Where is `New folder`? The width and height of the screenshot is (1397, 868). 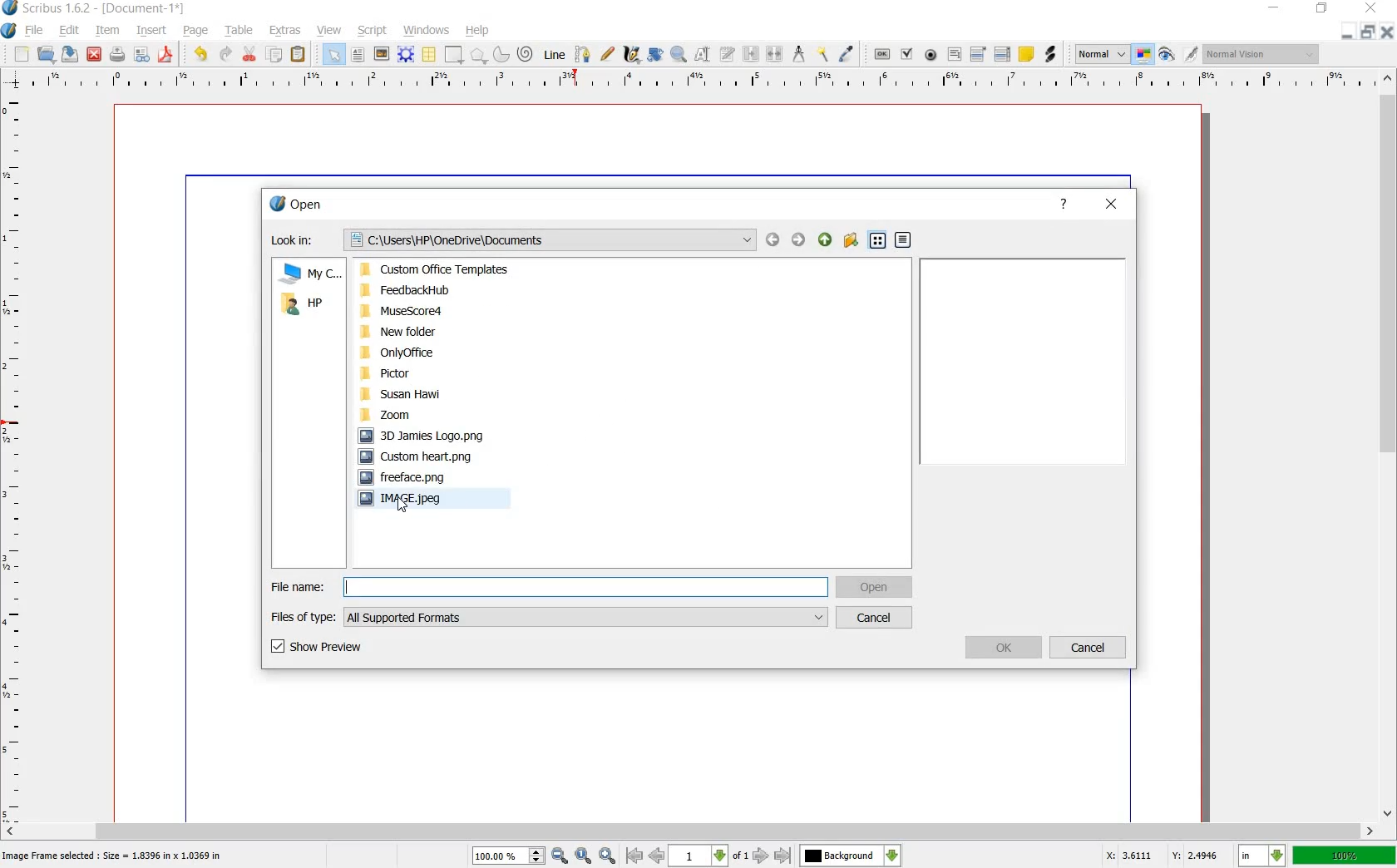 New folder is located at coordinates (409, 329).